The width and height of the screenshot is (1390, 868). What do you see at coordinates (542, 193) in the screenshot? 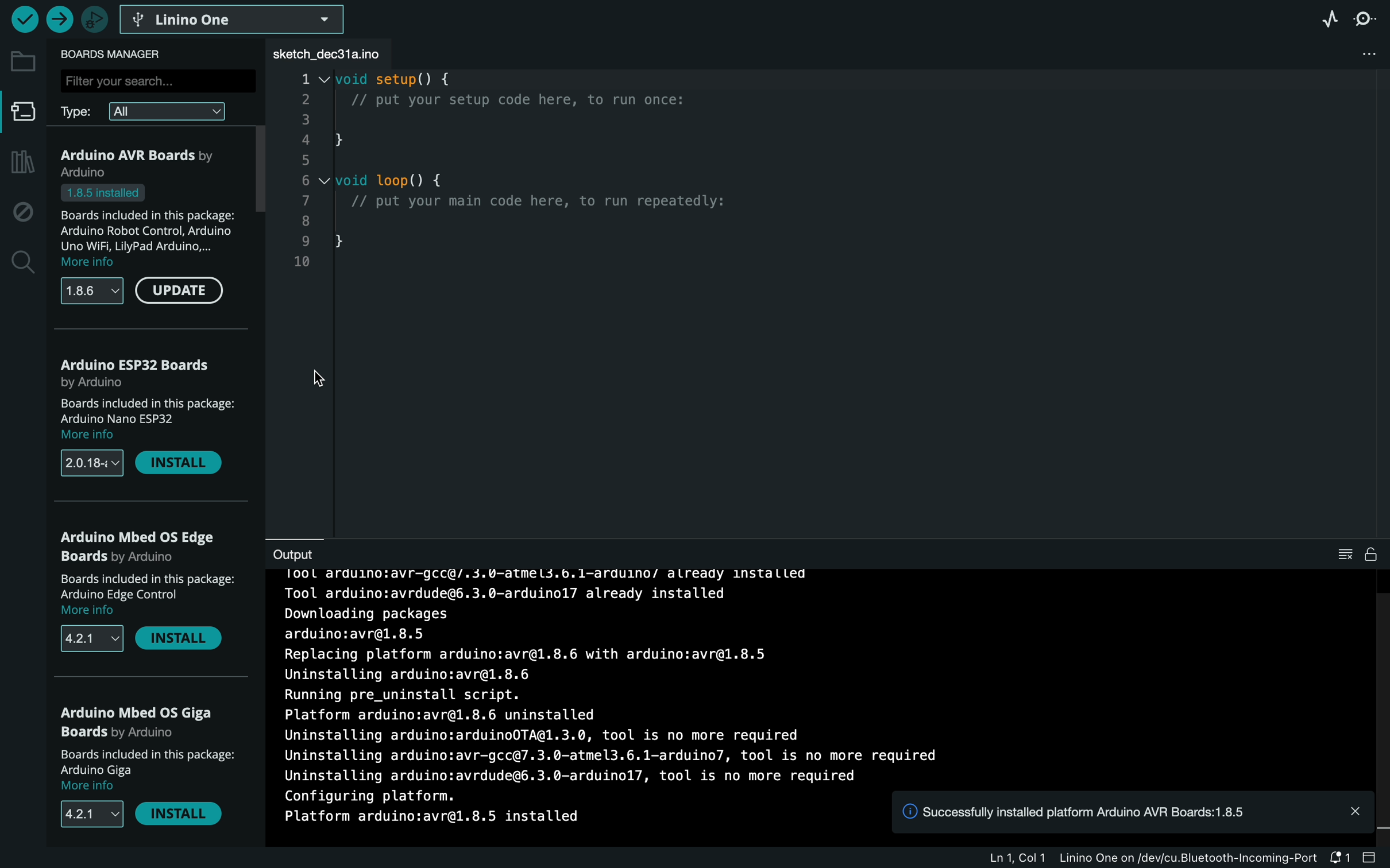
I see `code` at bounding box center [542, 193].